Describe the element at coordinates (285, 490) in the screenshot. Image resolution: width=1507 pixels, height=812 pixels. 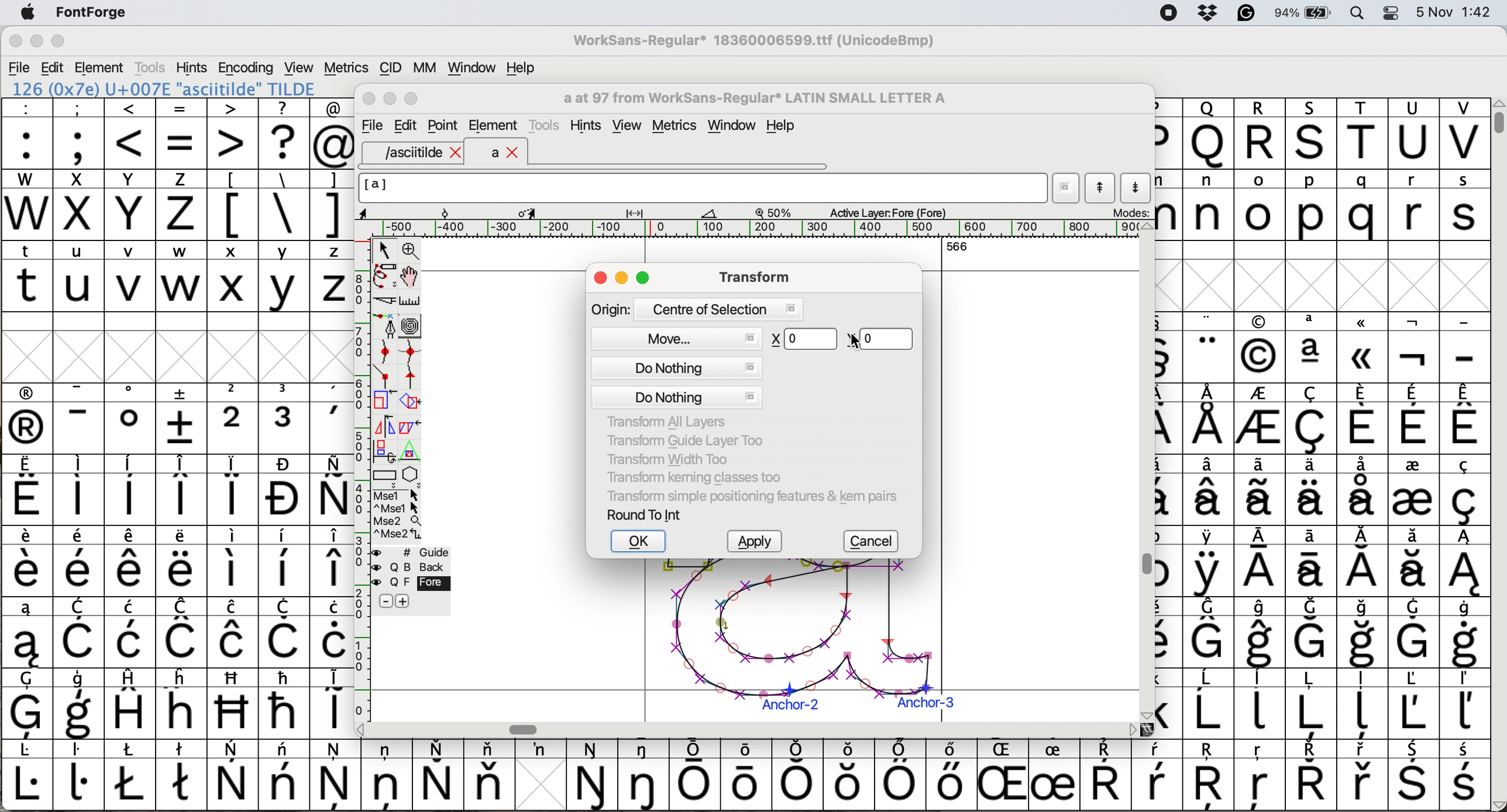
I see `symbol` at that location.